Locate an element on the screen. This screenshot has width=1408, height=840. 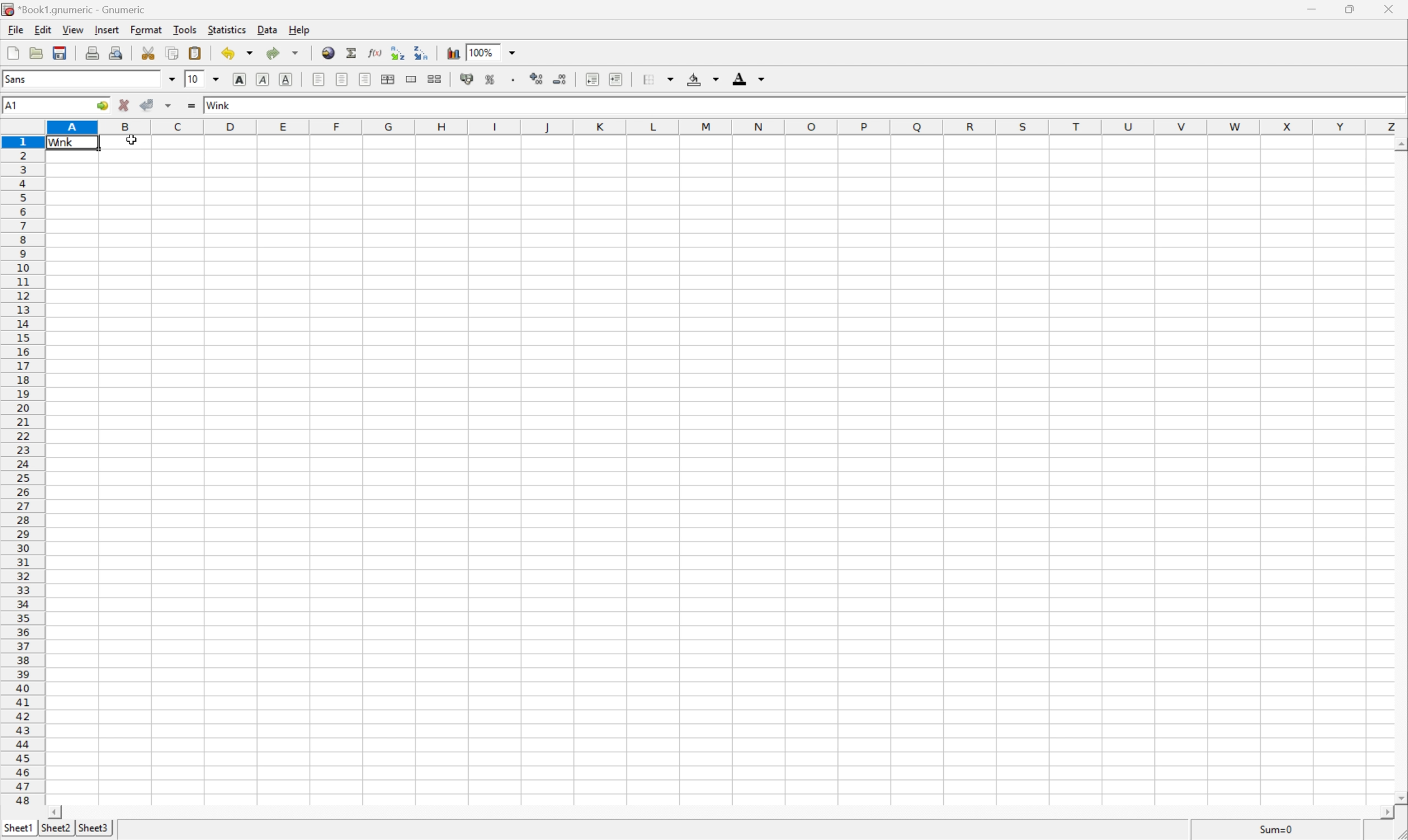
bold is located at coordinates (241, 79).